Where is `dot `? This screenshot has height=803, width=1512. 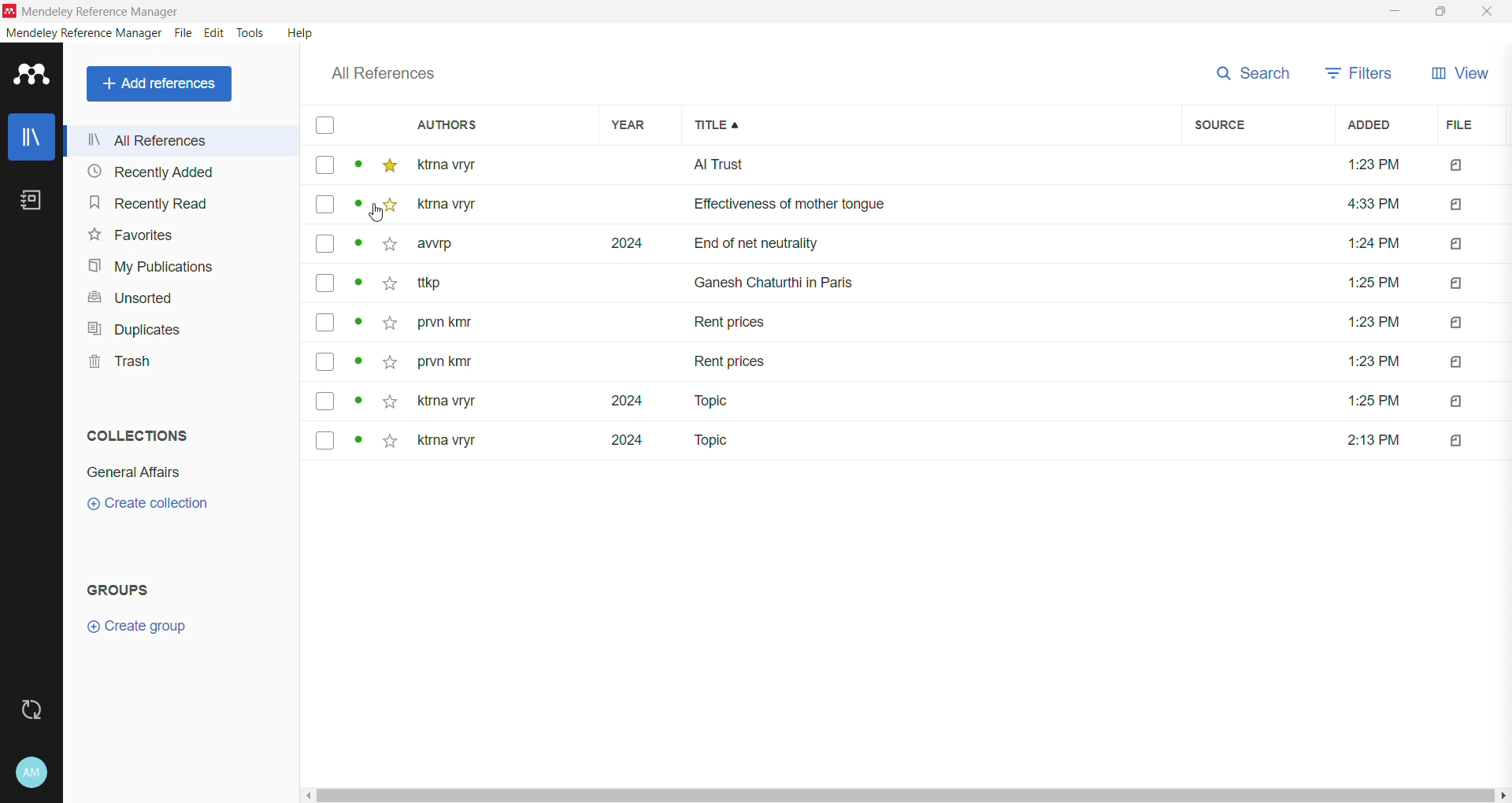
dot  is located at coordinates (357, 326).